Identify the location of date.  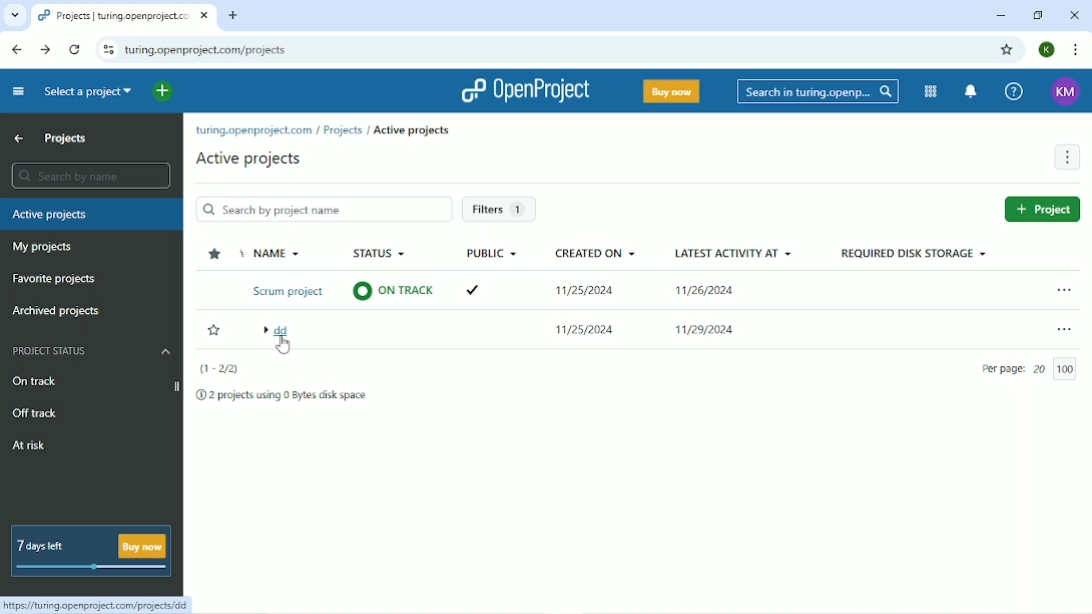
(705, 331).